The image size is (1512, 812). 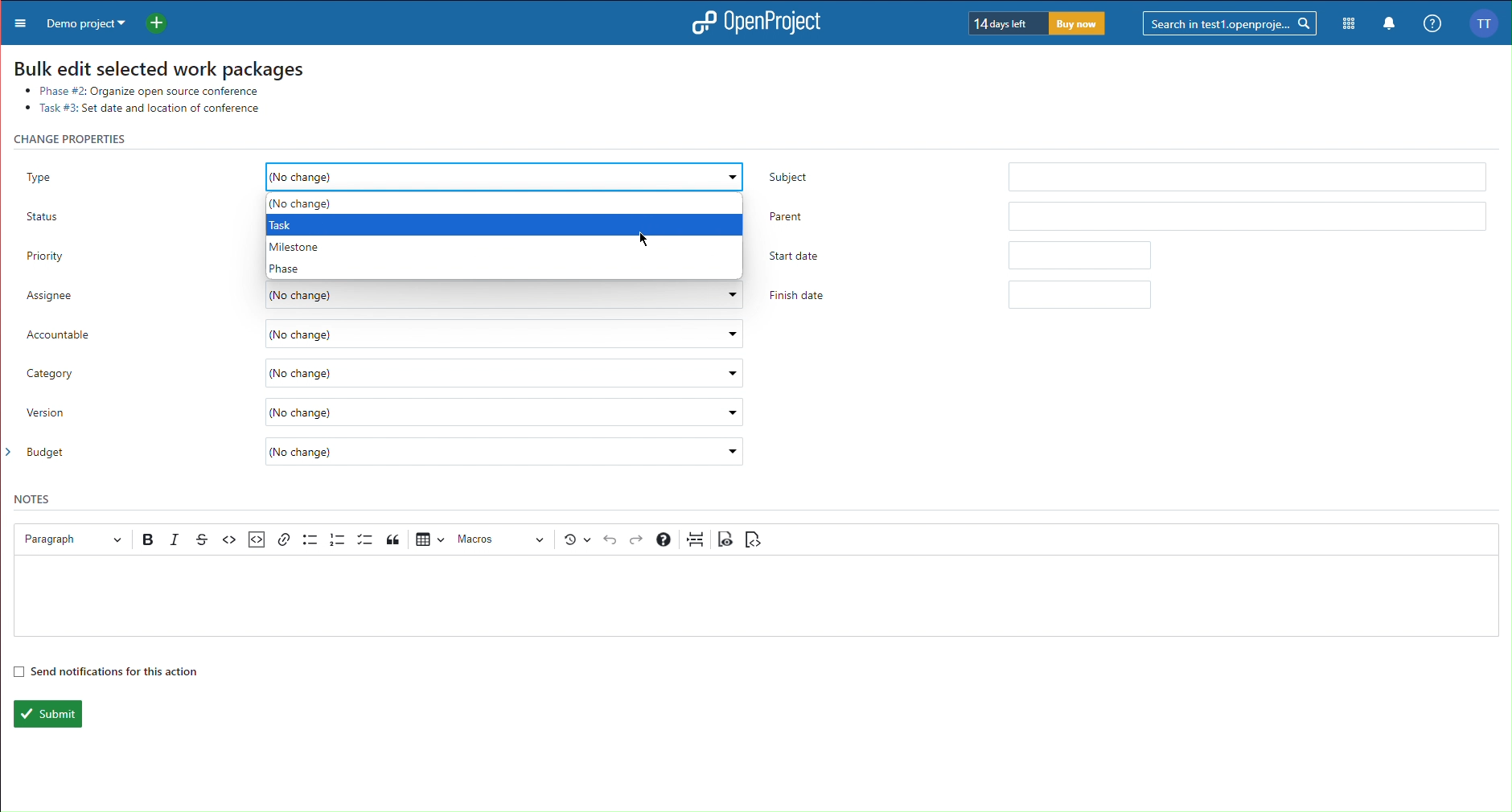 What do you see at coordinates (386, 376) in the screenshot?
I see `Category` at bounding box center [386, 376].